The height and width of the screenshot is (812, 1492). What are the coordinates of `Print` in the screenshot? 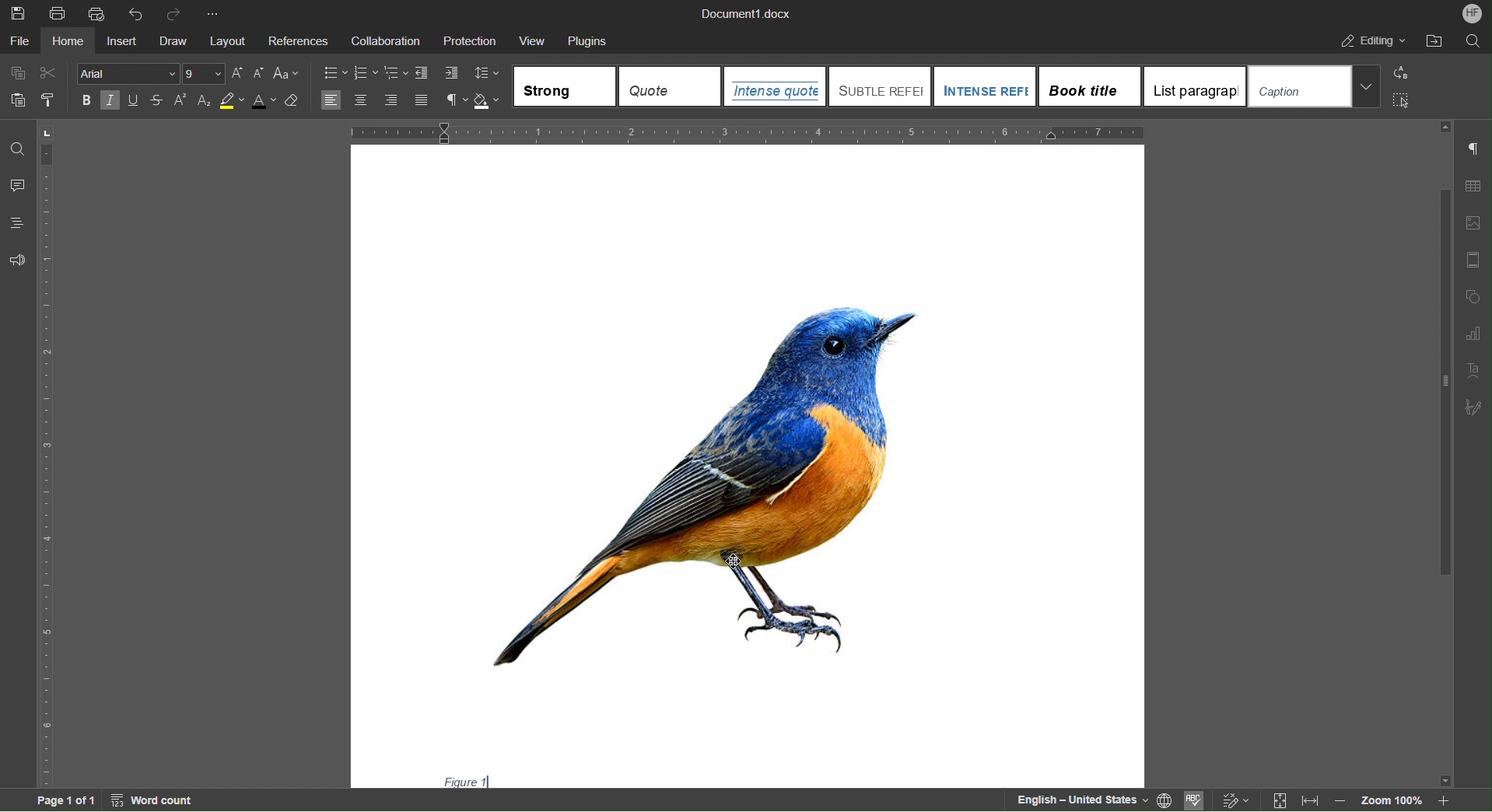 It's located at (58, 12).